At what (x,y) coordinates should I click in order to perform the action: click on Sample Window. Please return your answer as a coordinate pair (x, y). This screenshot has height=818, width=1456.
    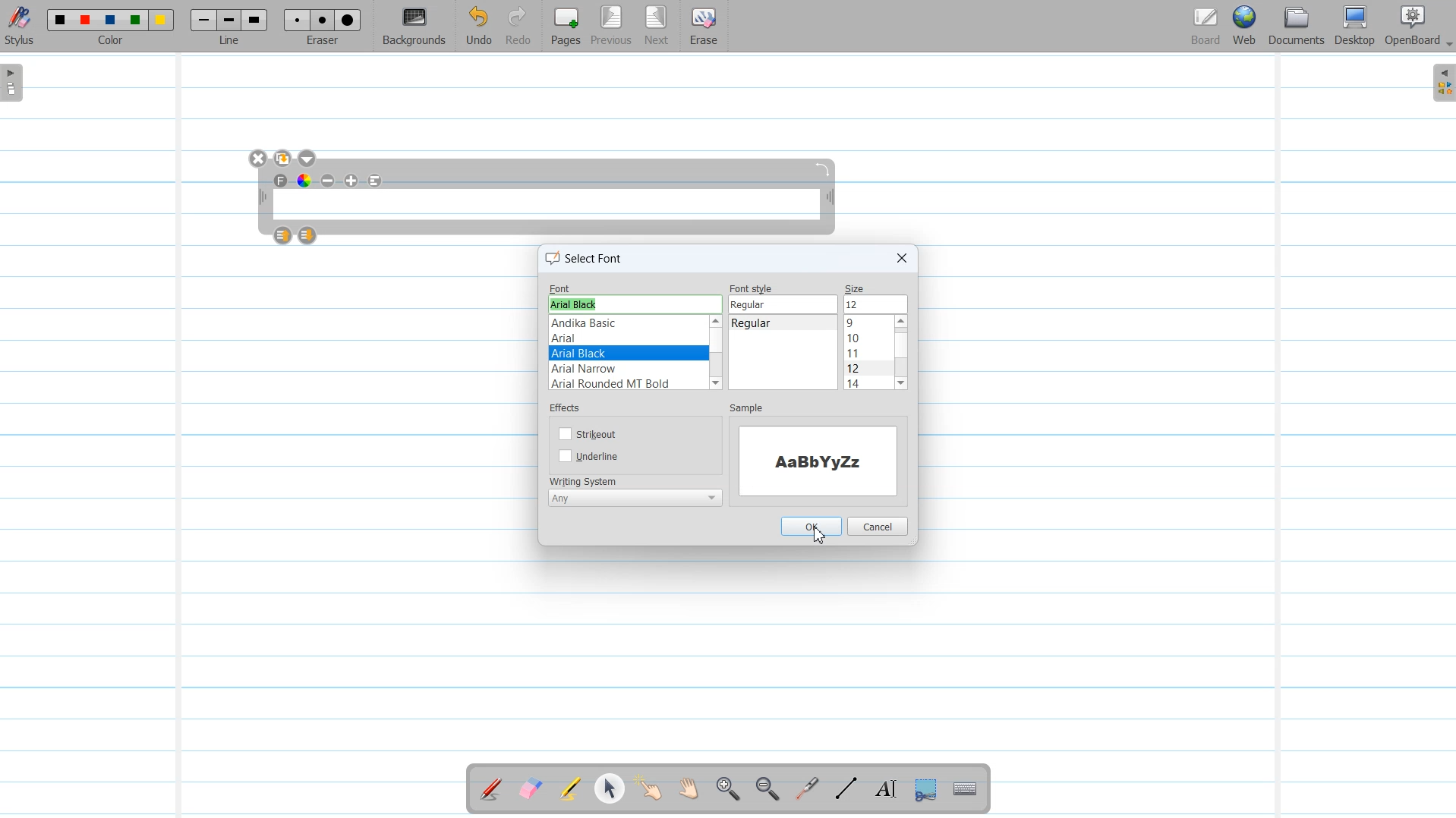
    Looking at the image, I should click on (821, 462).